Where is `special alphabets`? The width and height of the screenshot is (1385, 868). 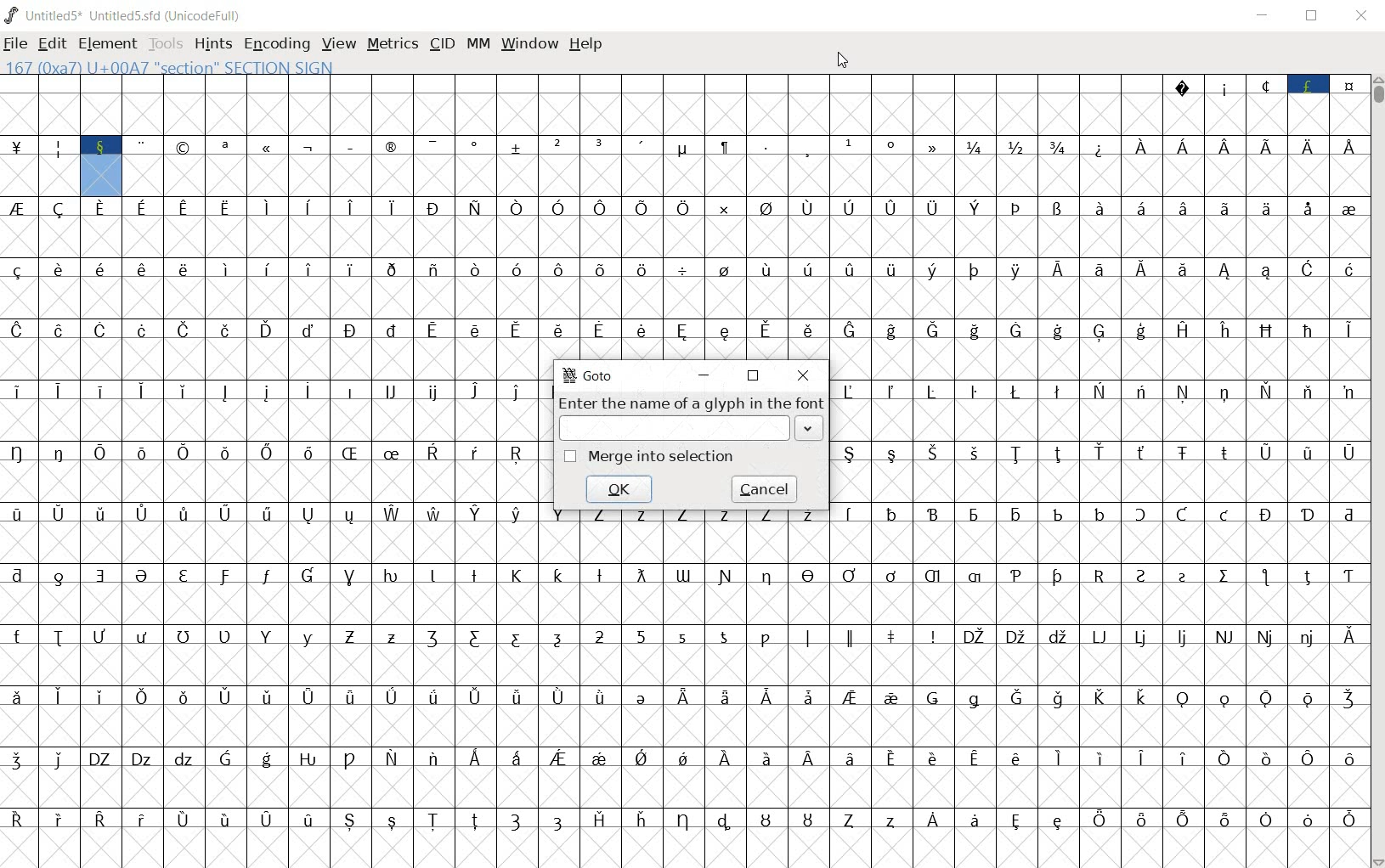
special alphabets is located at coordinates (789, 655).